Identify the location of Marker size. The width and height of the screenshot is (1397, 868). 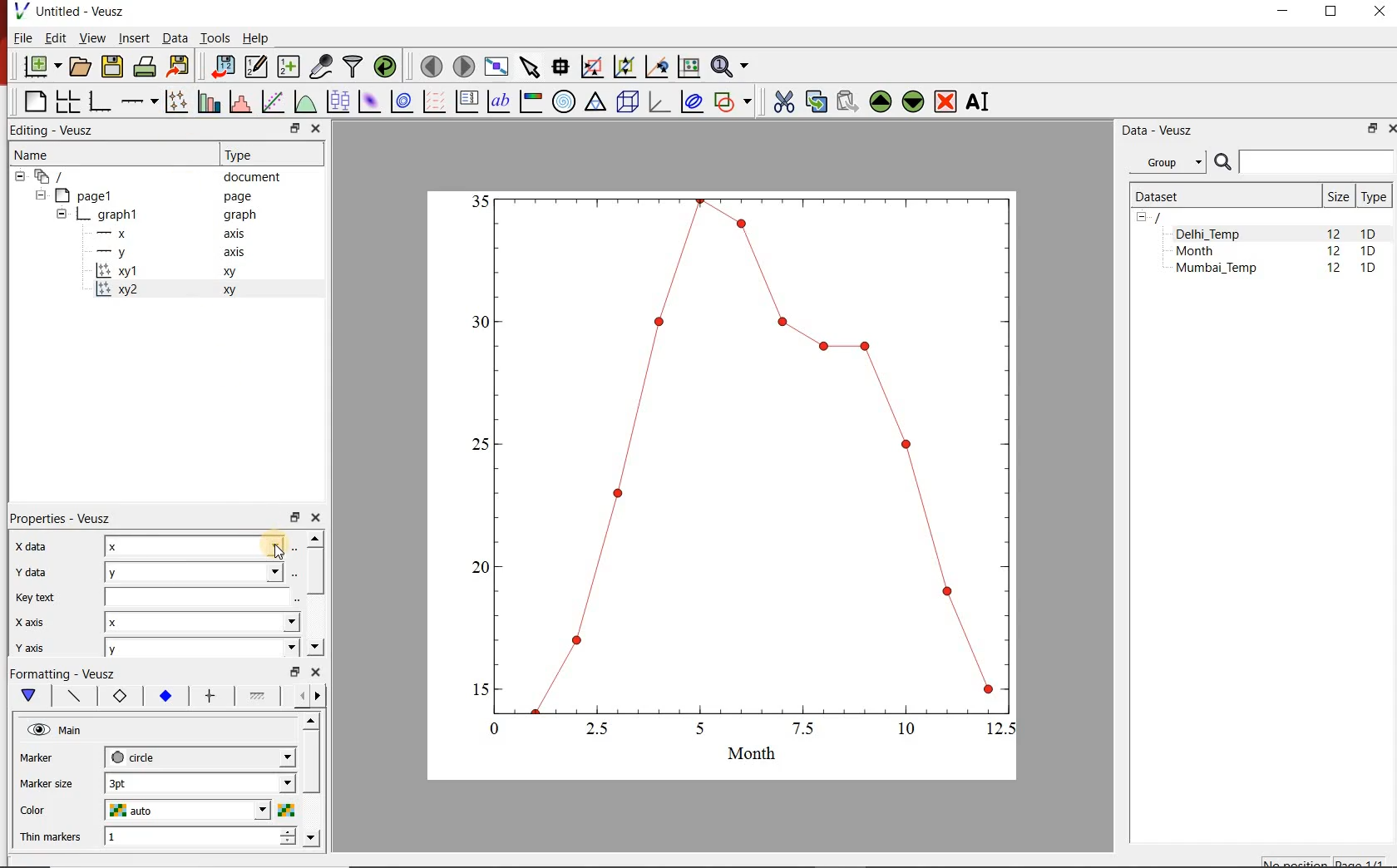
(47, 785).